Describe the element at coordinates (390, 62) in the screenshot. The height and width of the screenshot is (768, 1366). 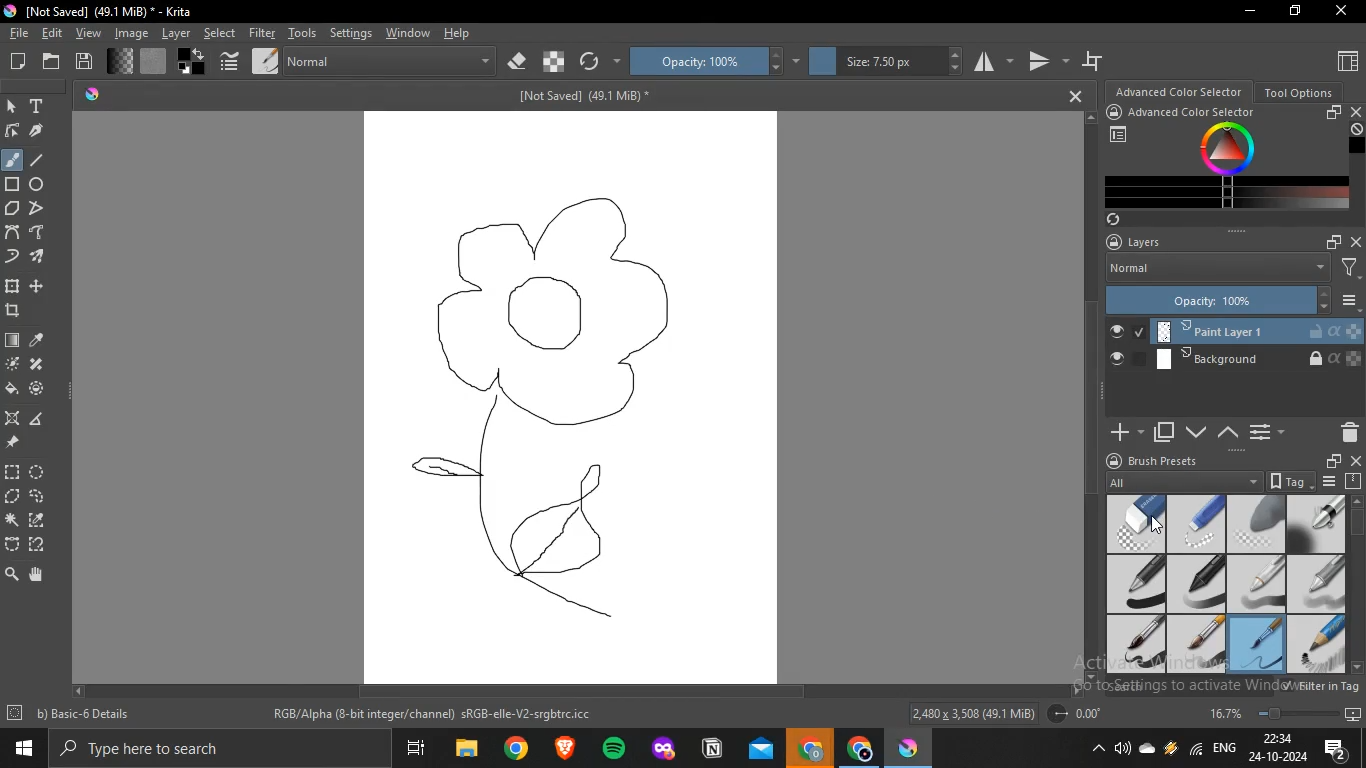
I see `blending mode` at that location.